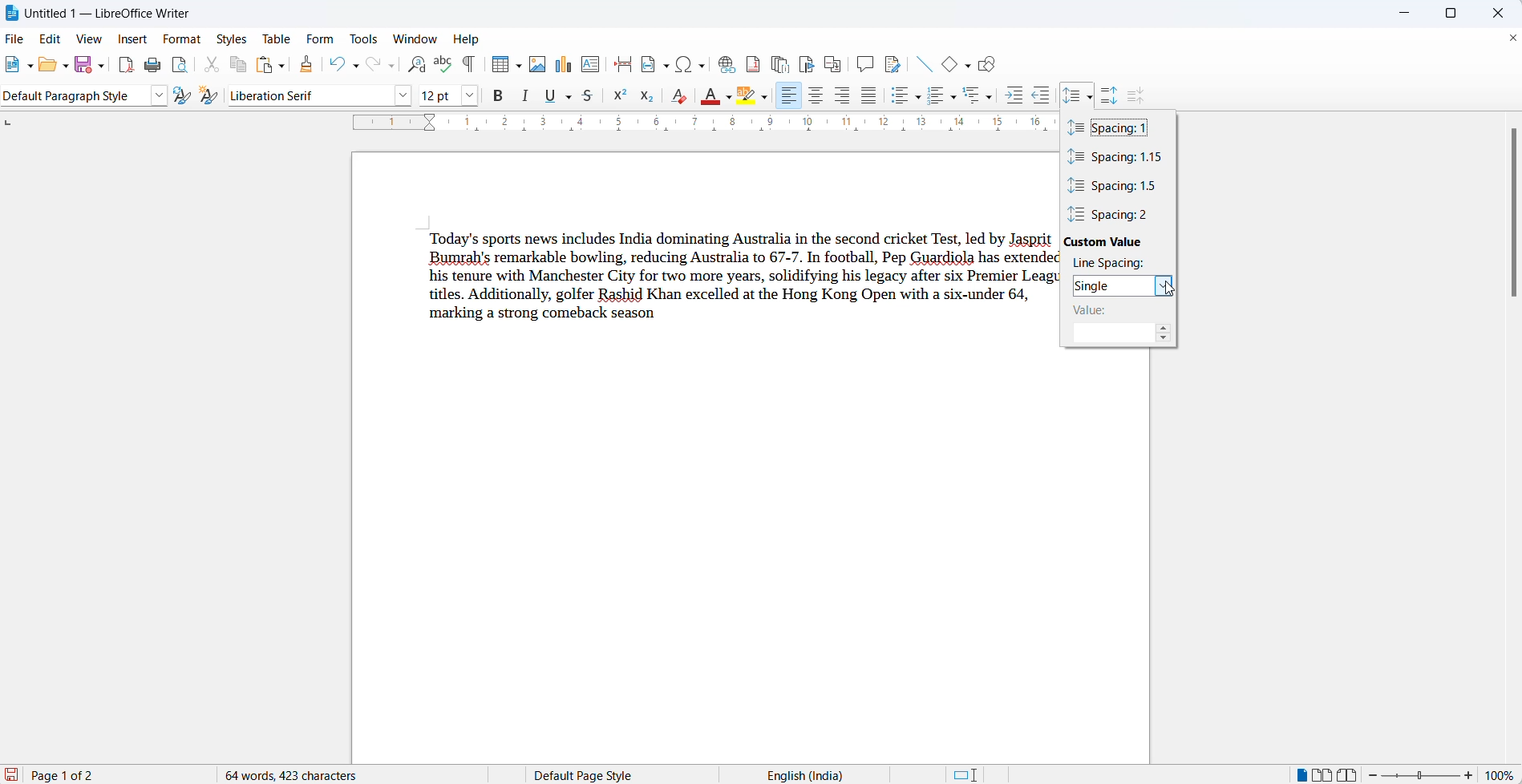  I want to click on decrease paragraph spacing, so click(1137, 95).